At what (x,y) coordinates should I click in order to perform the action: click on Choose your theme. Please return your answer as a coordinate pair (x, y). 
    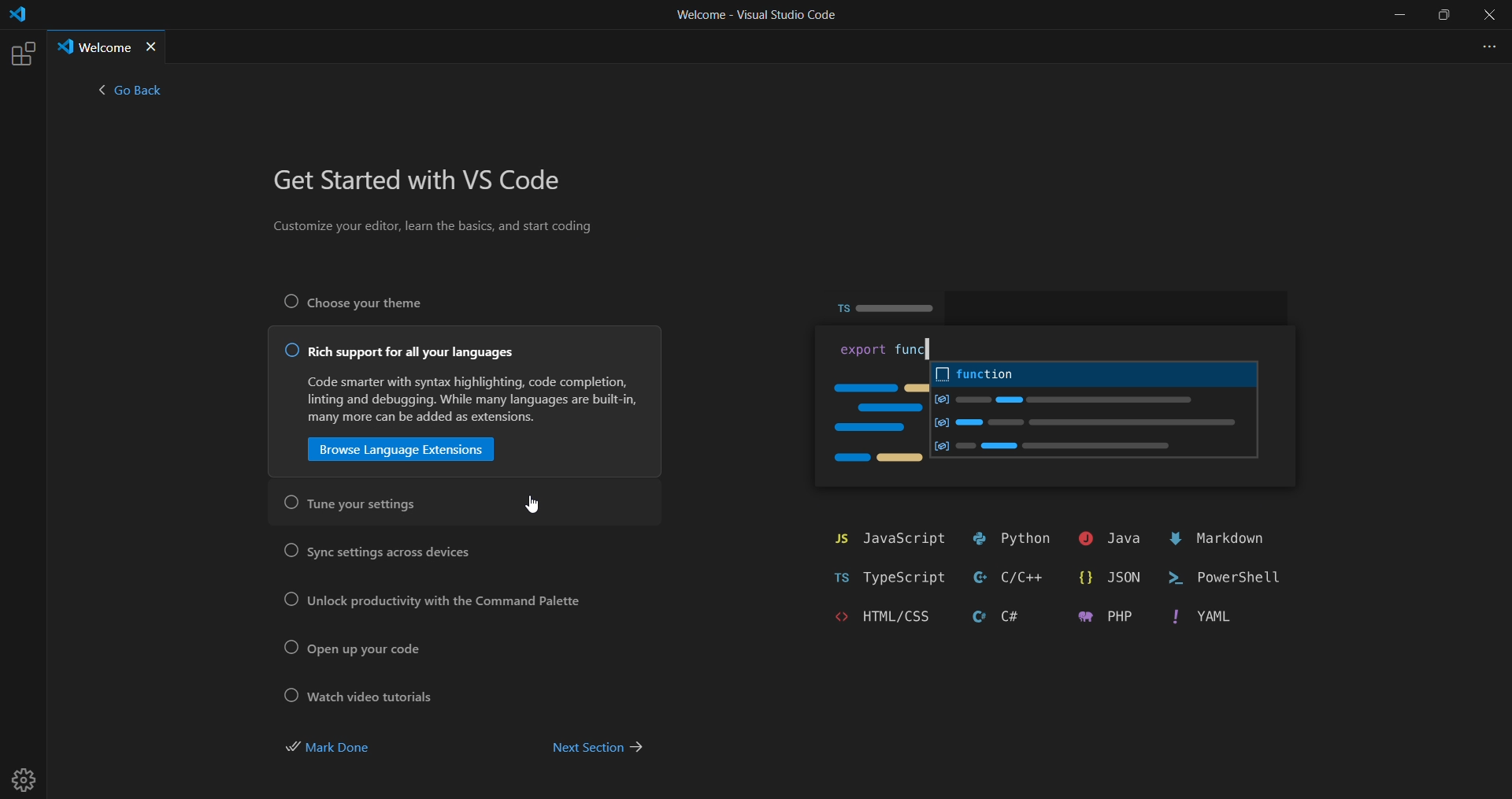
    Looking at the image, I should click on (375, 302).